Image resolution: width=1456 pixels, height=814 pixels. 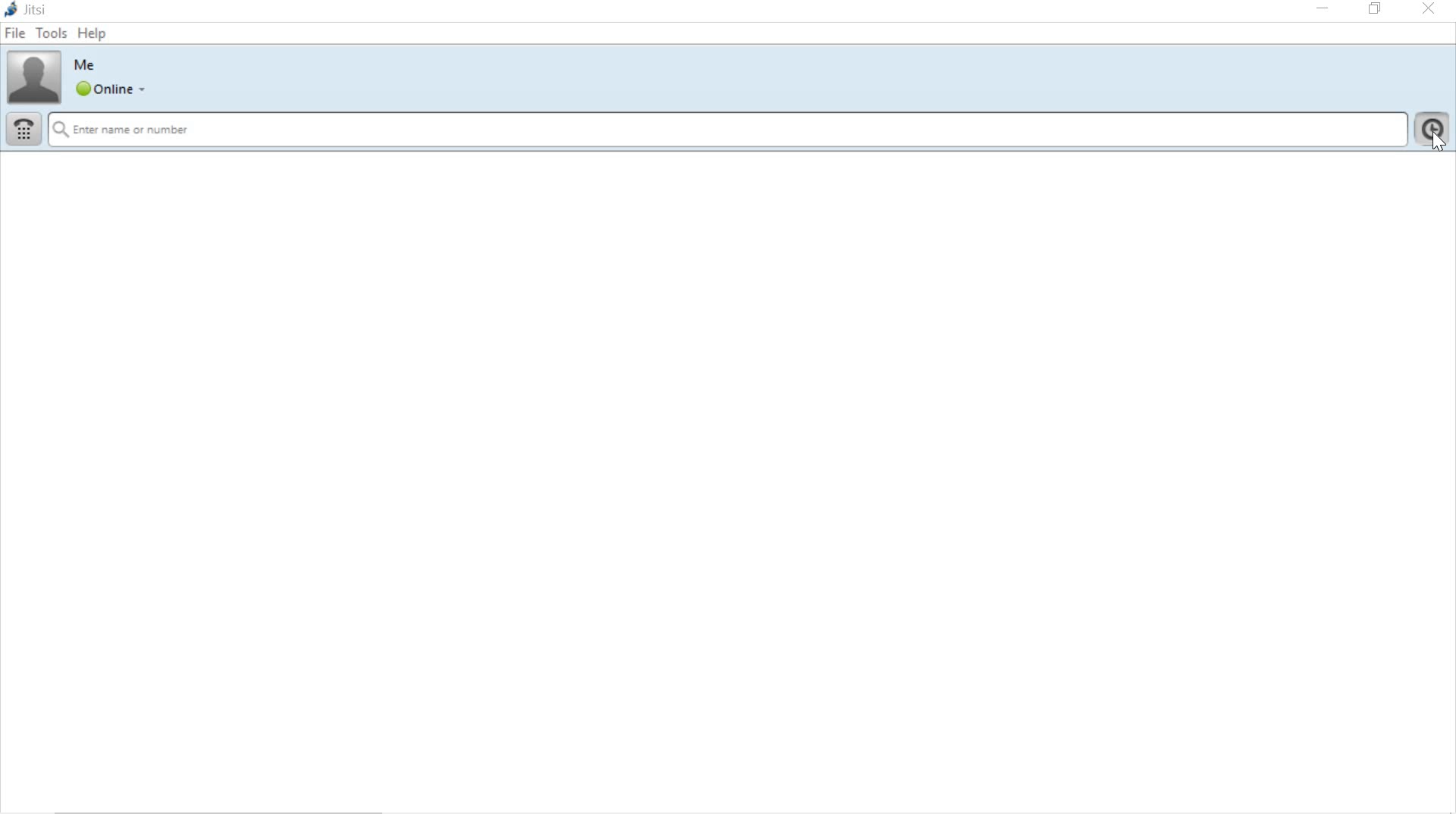 What do you see at coordinates (727, 131) in the screenshot?
I see `search contacts` at bounding box center [727, 131].